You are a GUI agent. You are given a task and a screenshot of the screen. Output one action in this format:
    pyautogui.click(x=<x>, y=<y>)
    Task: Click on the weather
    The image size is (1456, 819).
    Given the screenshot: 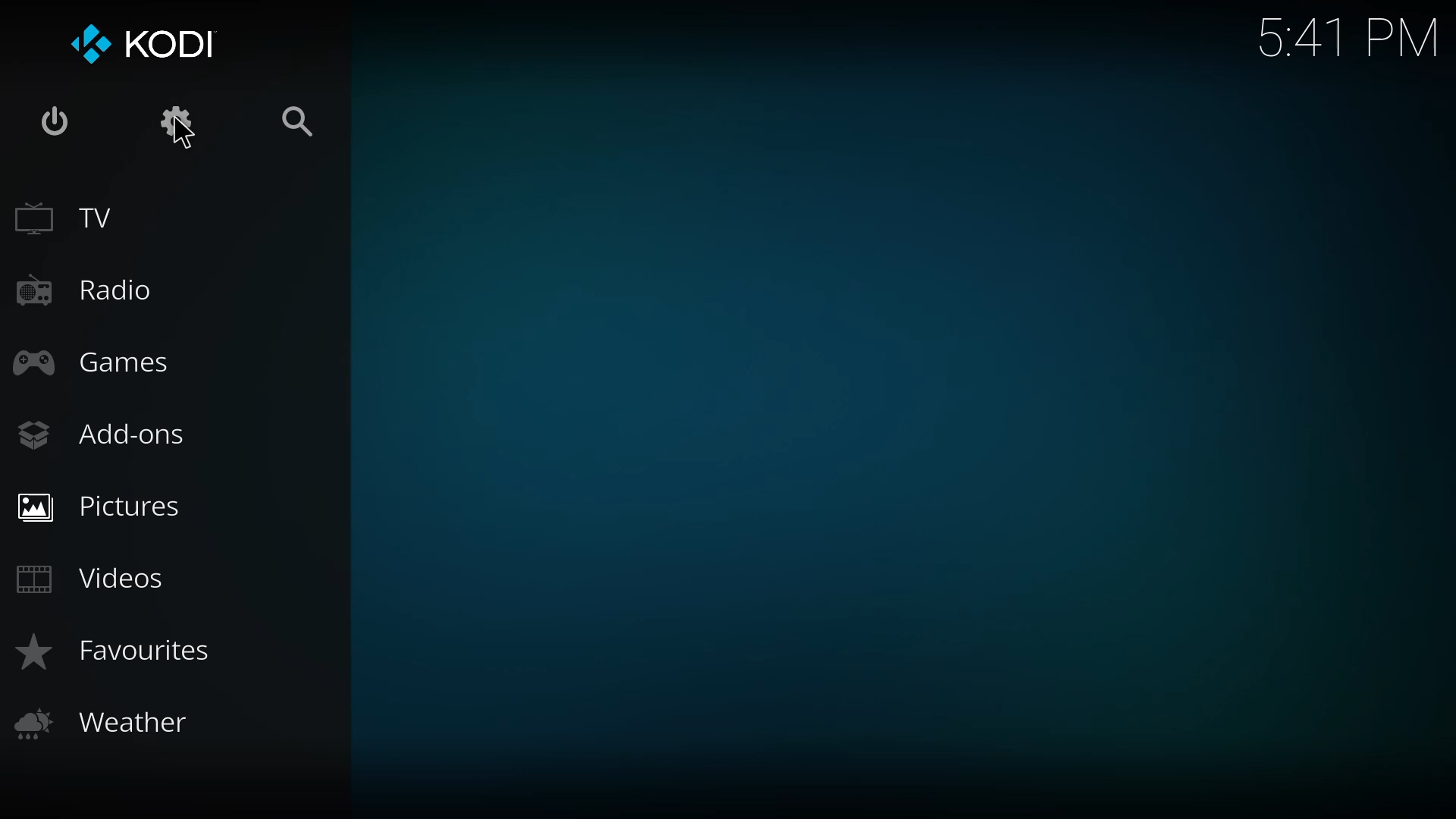 What is the action you would take?
    pyautogui.click(x=106, y=725)
    